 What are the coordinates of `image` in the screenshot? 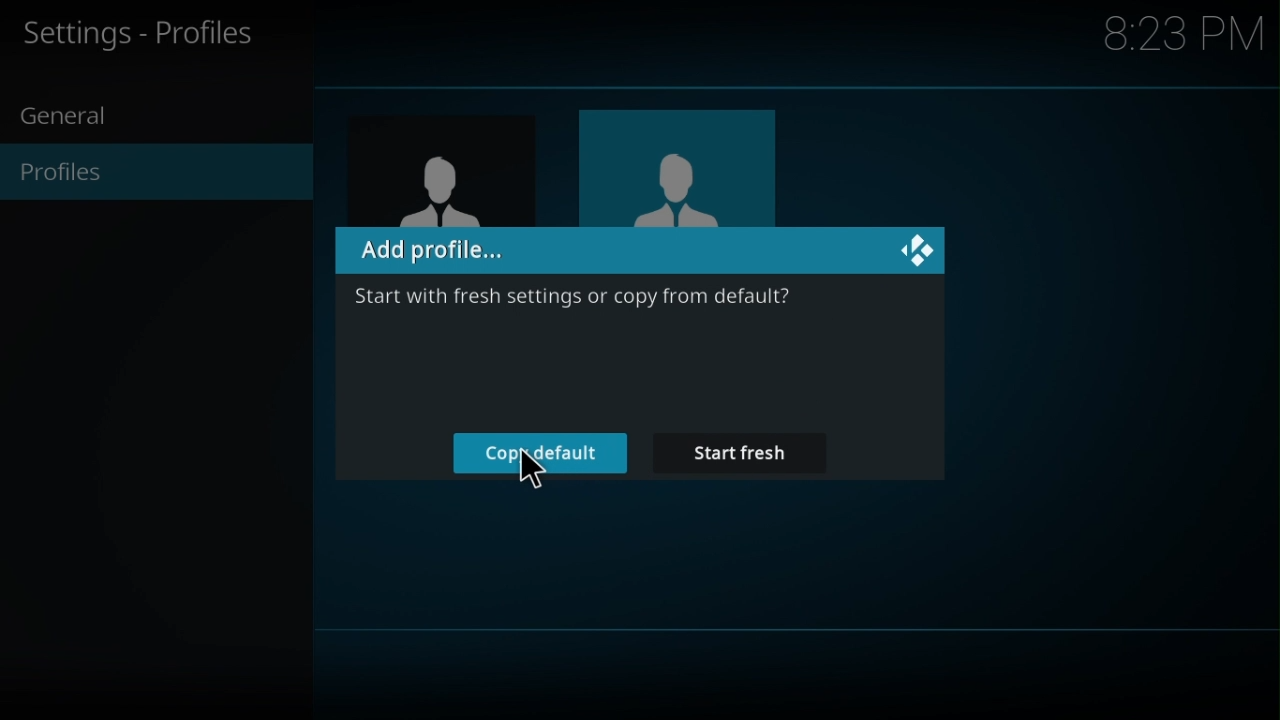 It's located at (679, 170).